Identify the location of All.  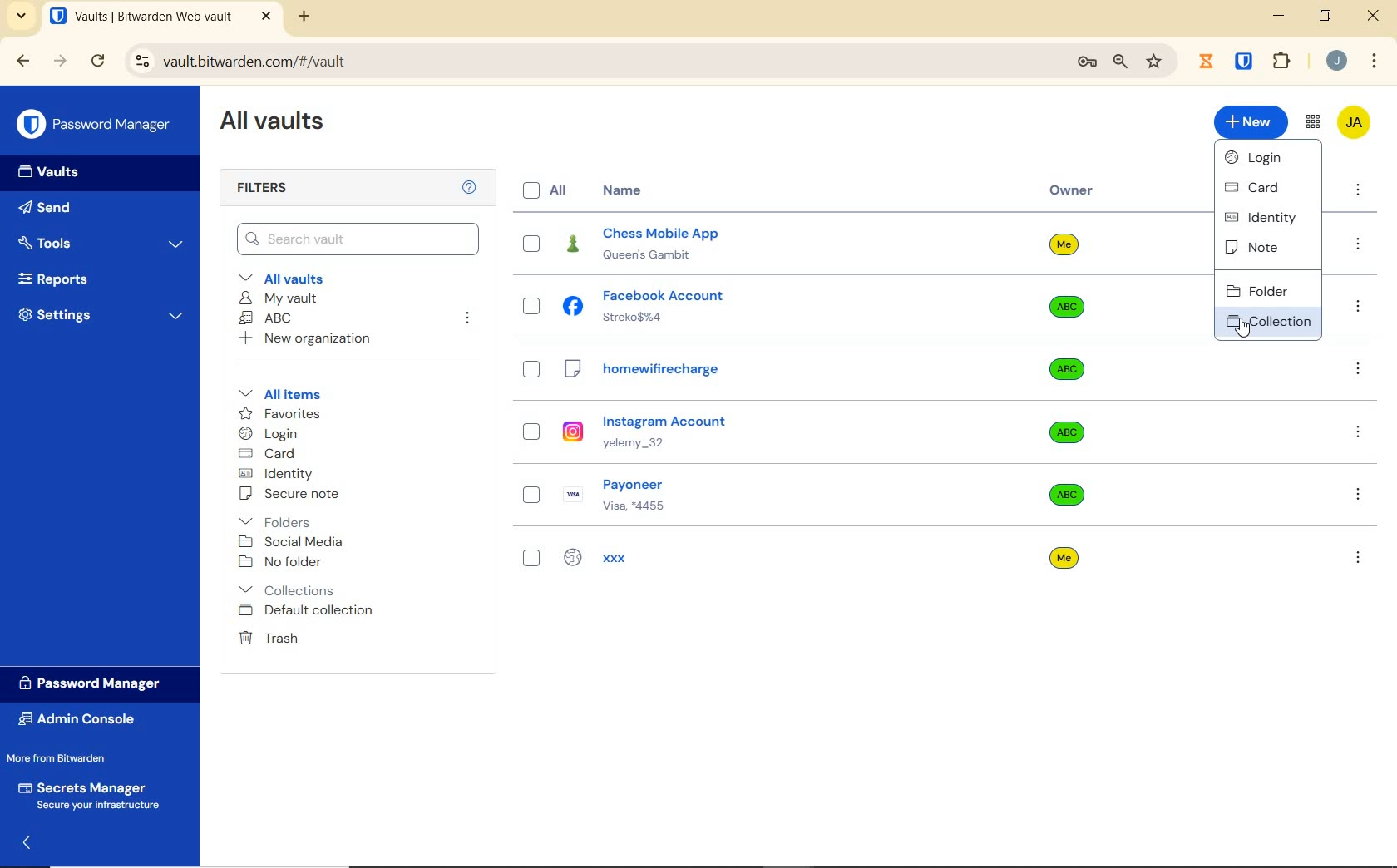
(549, 192).